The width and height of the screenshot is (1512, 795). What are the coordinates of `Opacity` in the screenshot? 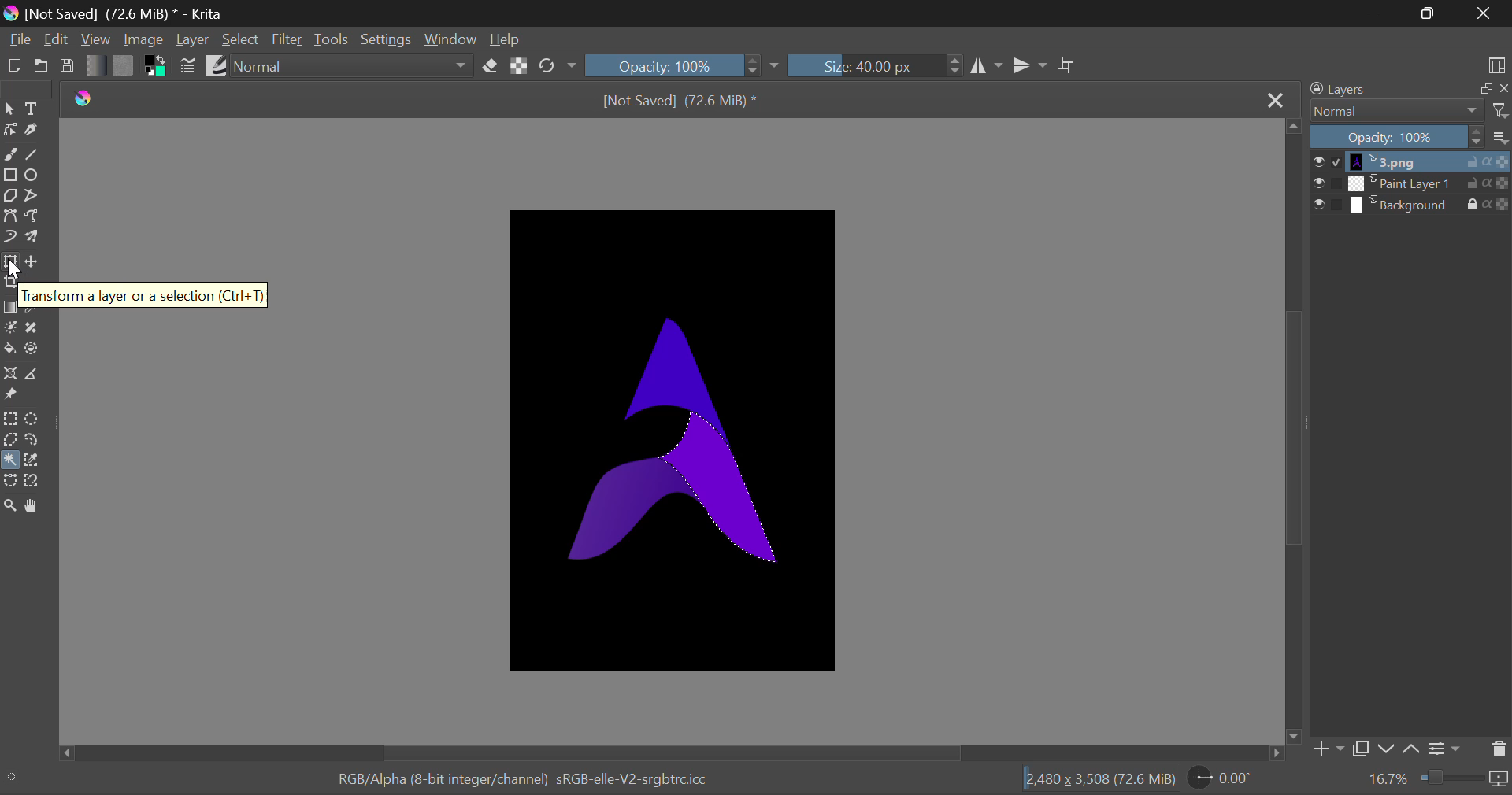 It's located at (674, 67).